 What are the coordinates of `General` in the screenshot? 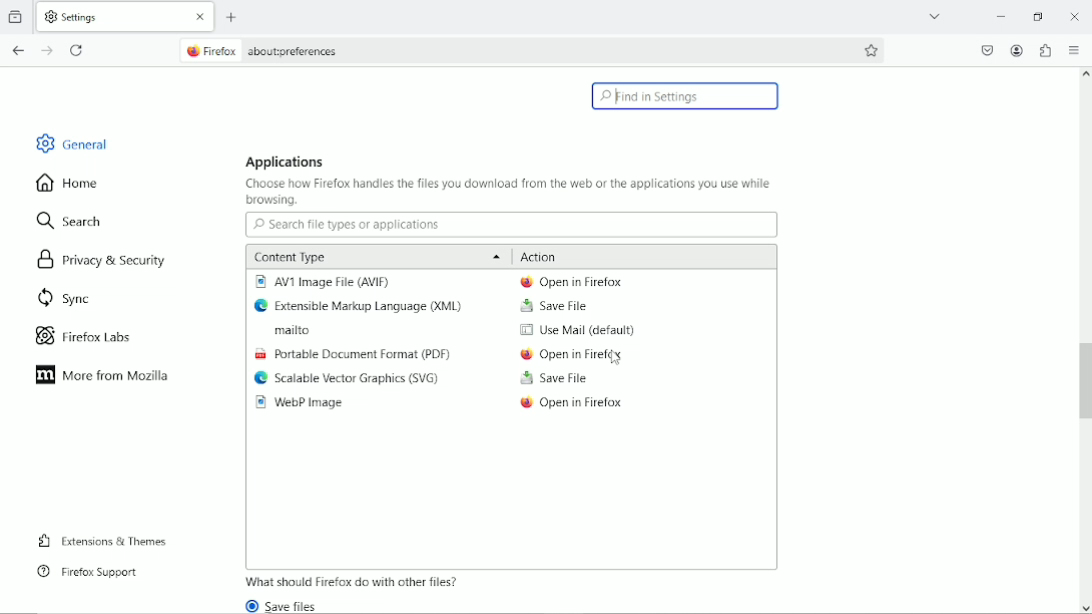 It's located at (68, 141).